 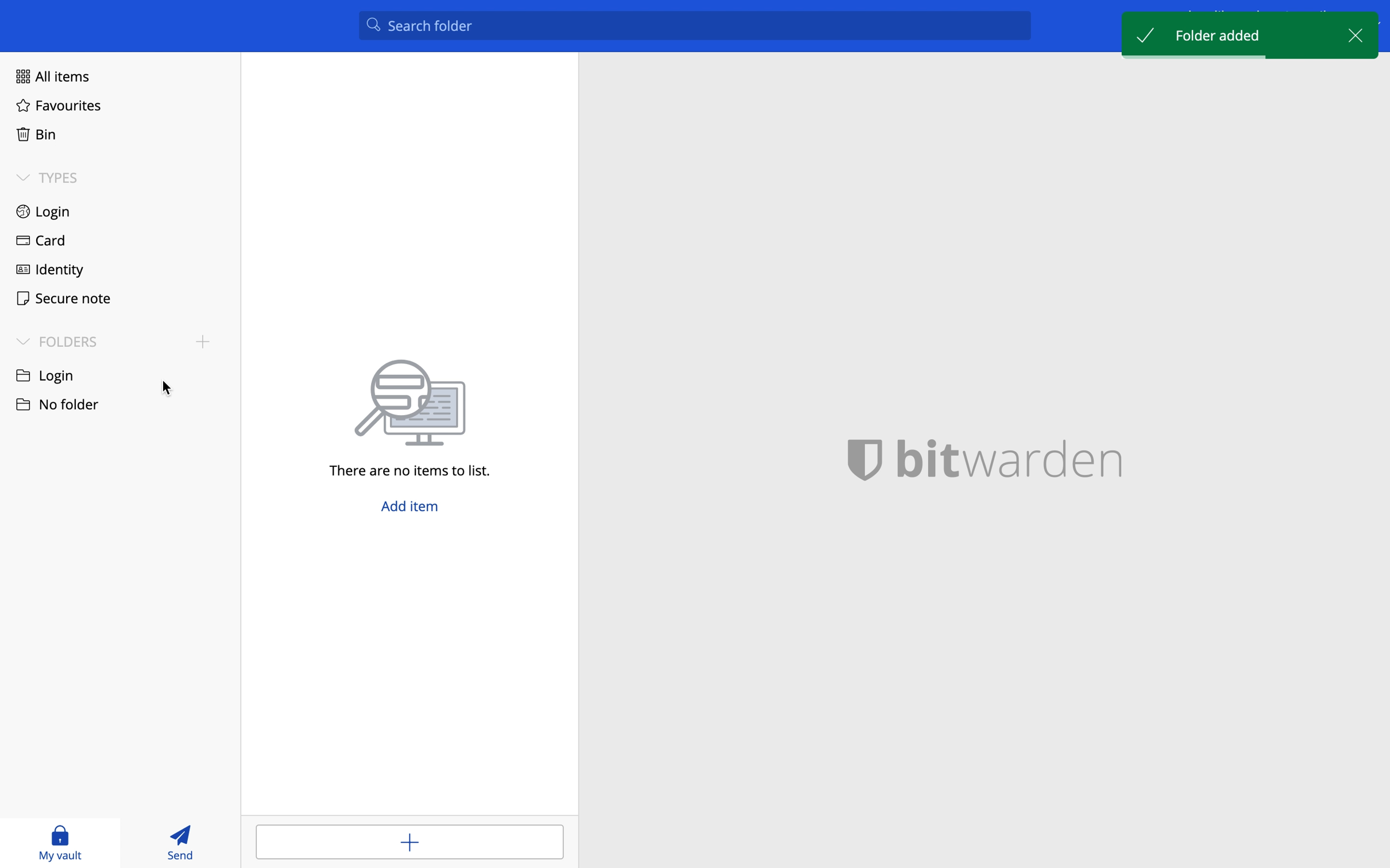 What do you see at coordinates (50, 268) in the screenshot?
I see `identity` at bounding box center [50, 268].